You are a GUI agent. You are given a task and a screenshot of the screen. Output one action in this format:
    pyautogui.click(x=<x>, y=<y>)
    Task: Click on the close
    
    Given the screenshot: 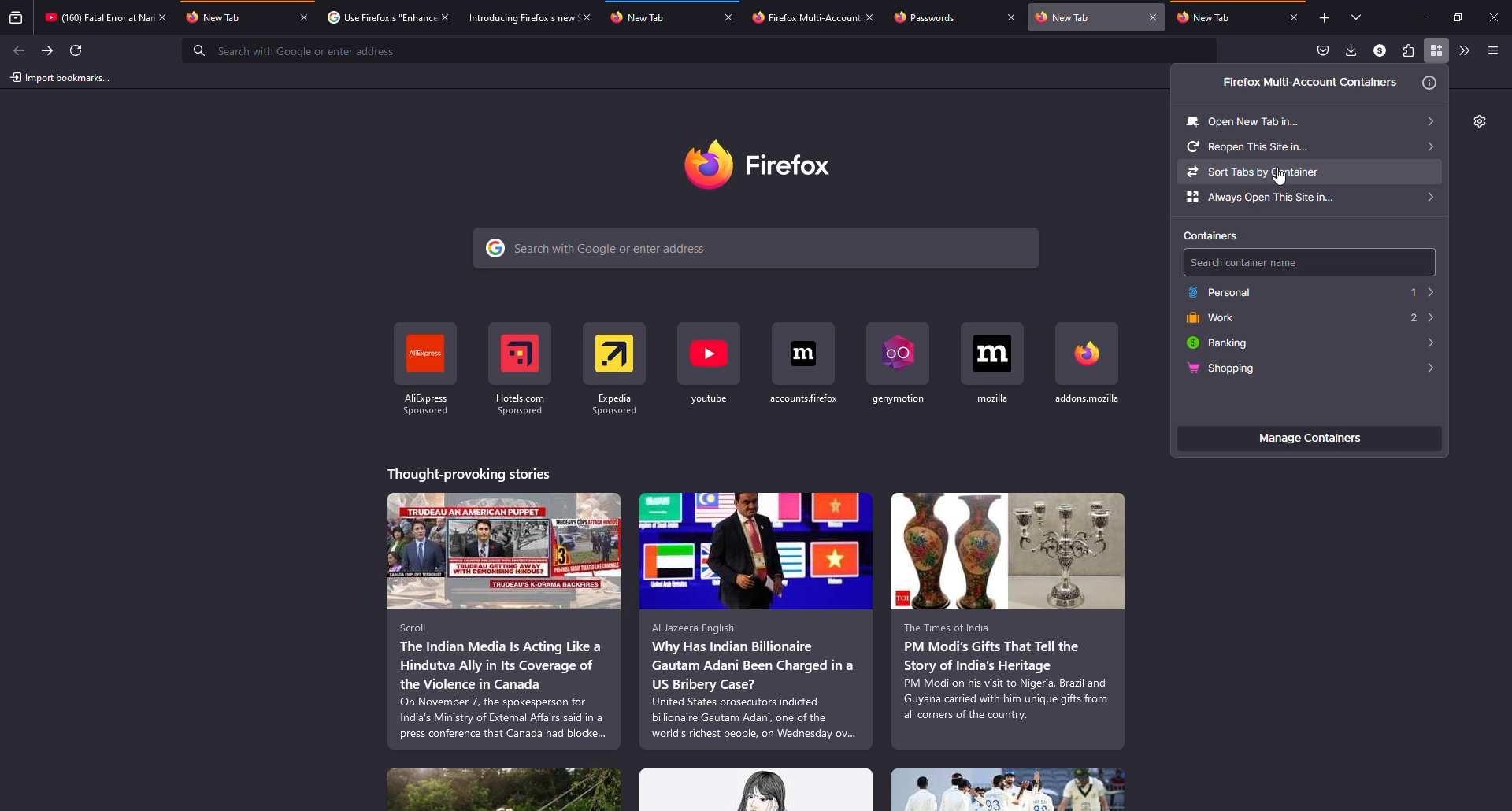 What is the action you would take?
    pyautogui.click(x=445, y=15)
    